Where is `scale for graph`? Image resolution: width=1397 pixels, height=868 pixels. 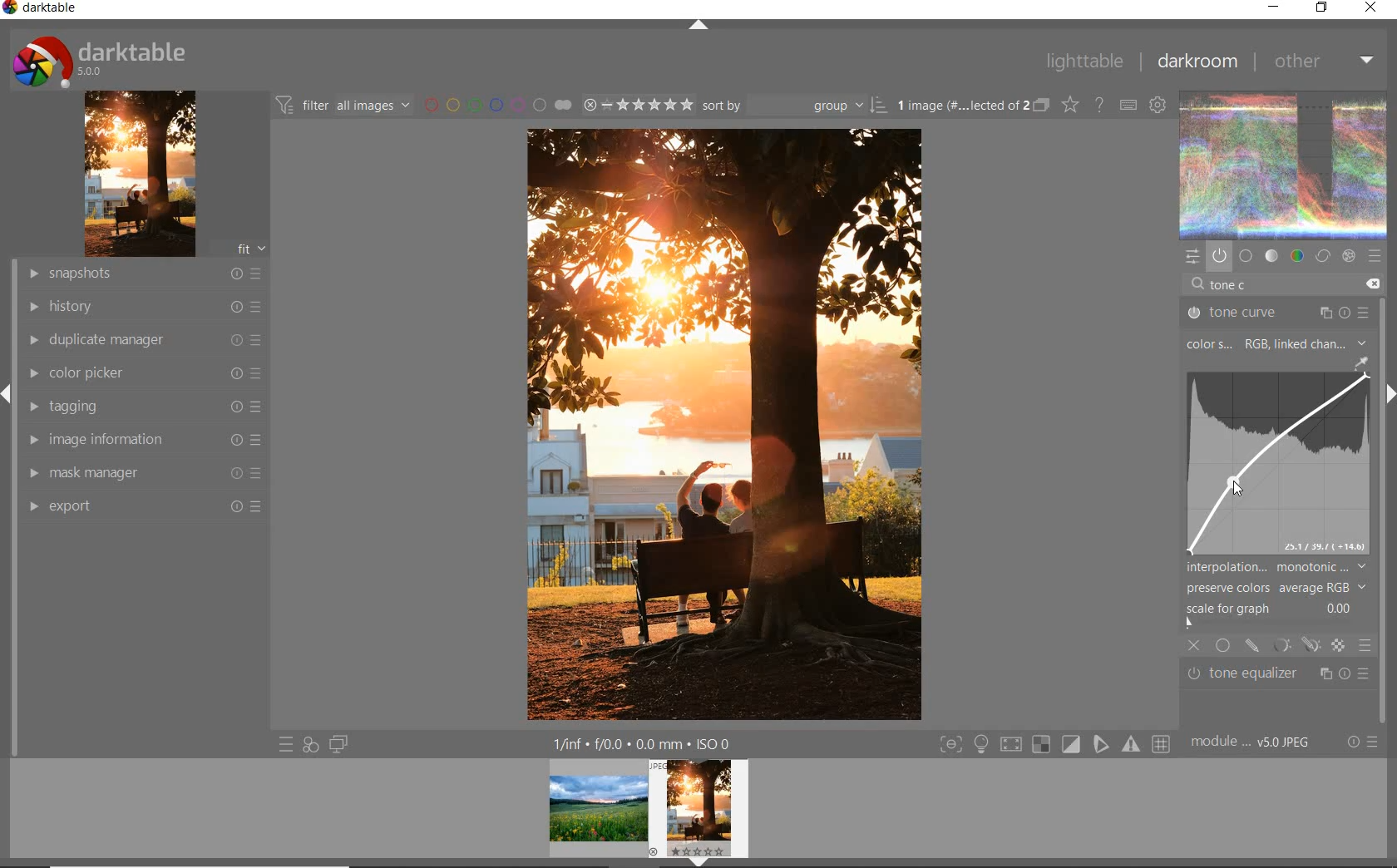
scale for graph is located at coordinates (1272, 609).